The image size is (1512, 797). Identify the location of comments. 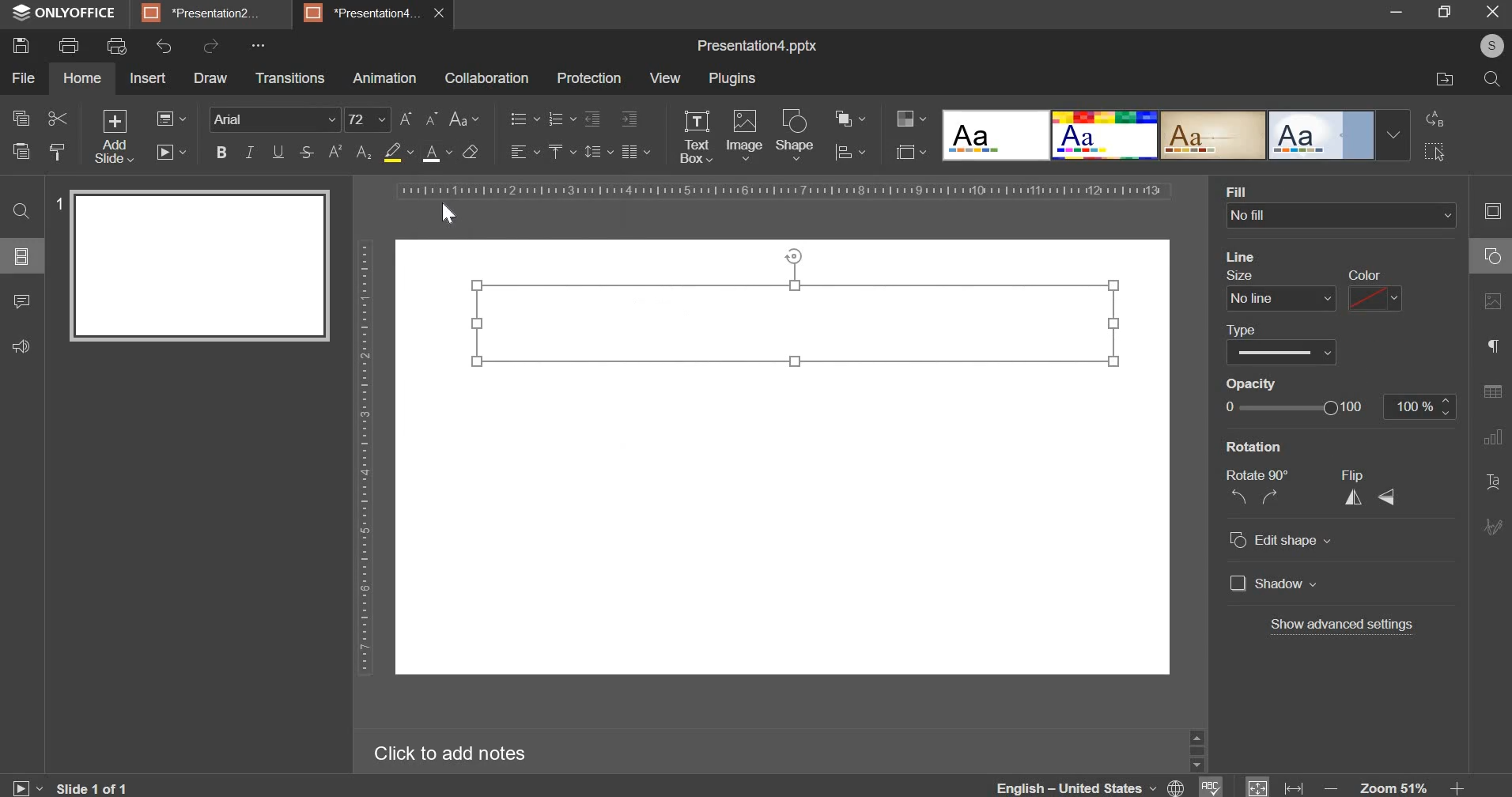
(25, 300).